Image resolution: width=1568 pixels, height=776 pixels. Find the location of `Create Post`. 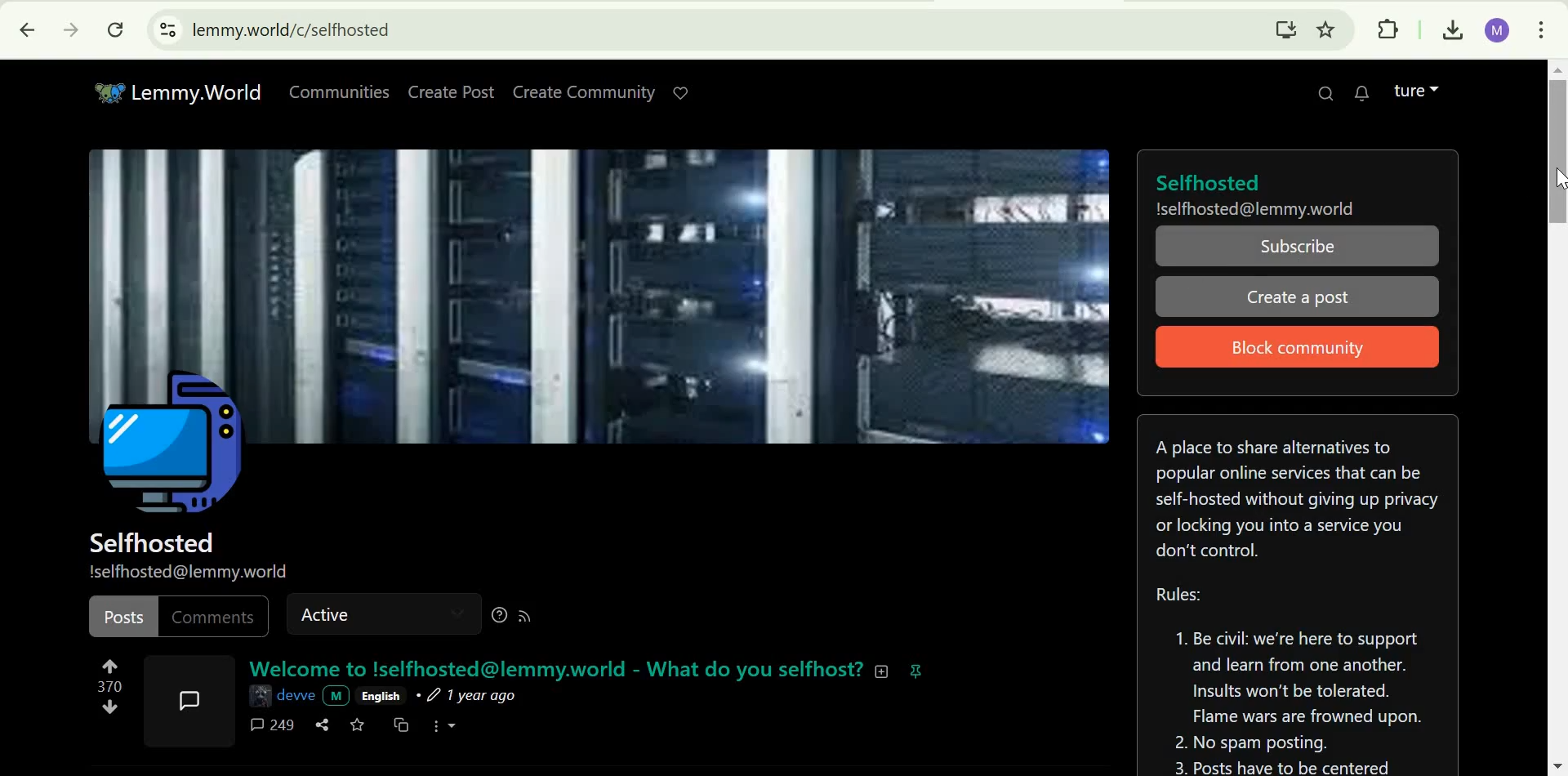

Create Post is located at coordinates (452, 92).